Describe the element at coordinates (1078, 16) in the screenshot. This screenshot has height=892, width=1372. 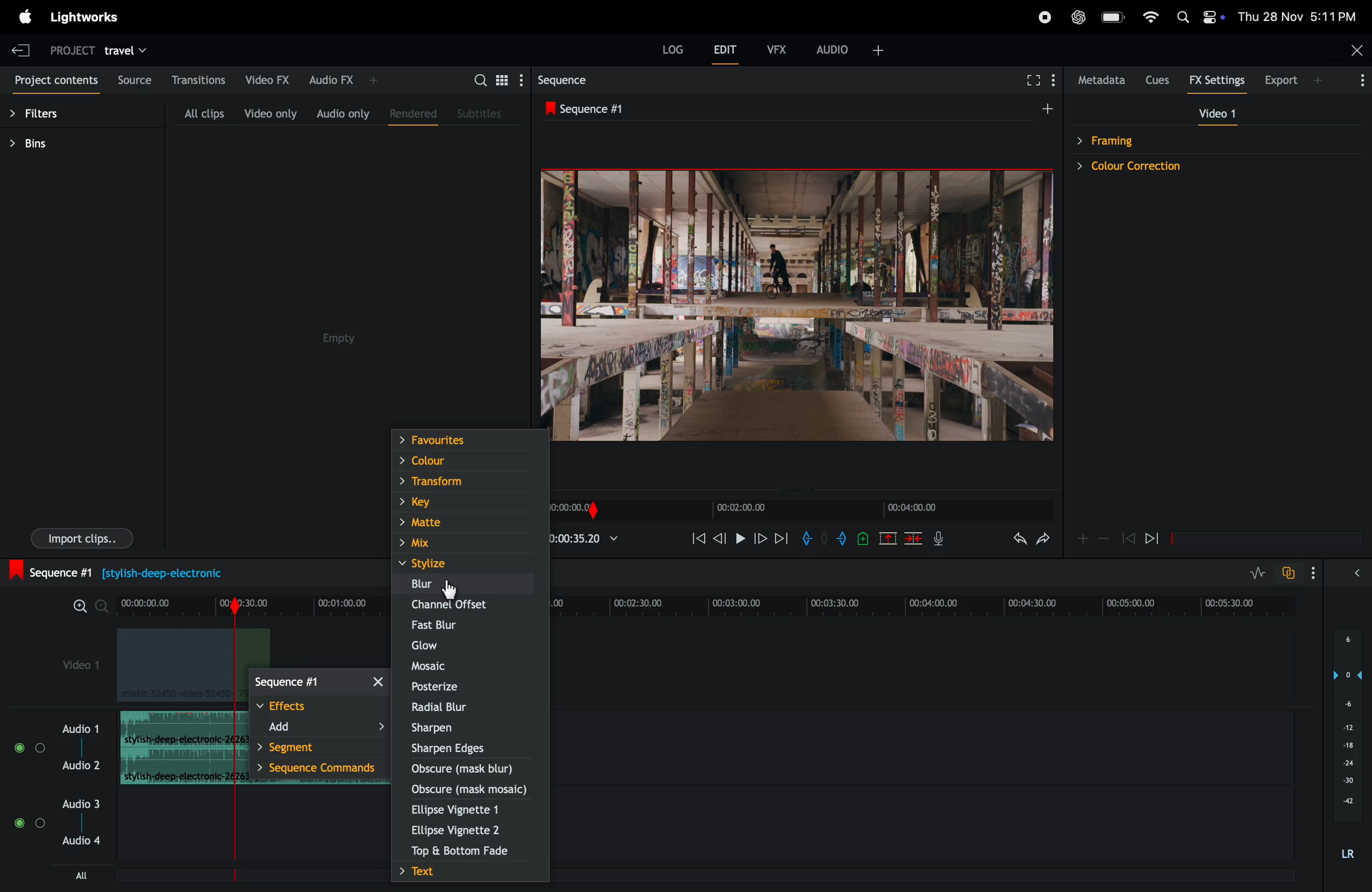
I see `chatgpt` at that location.